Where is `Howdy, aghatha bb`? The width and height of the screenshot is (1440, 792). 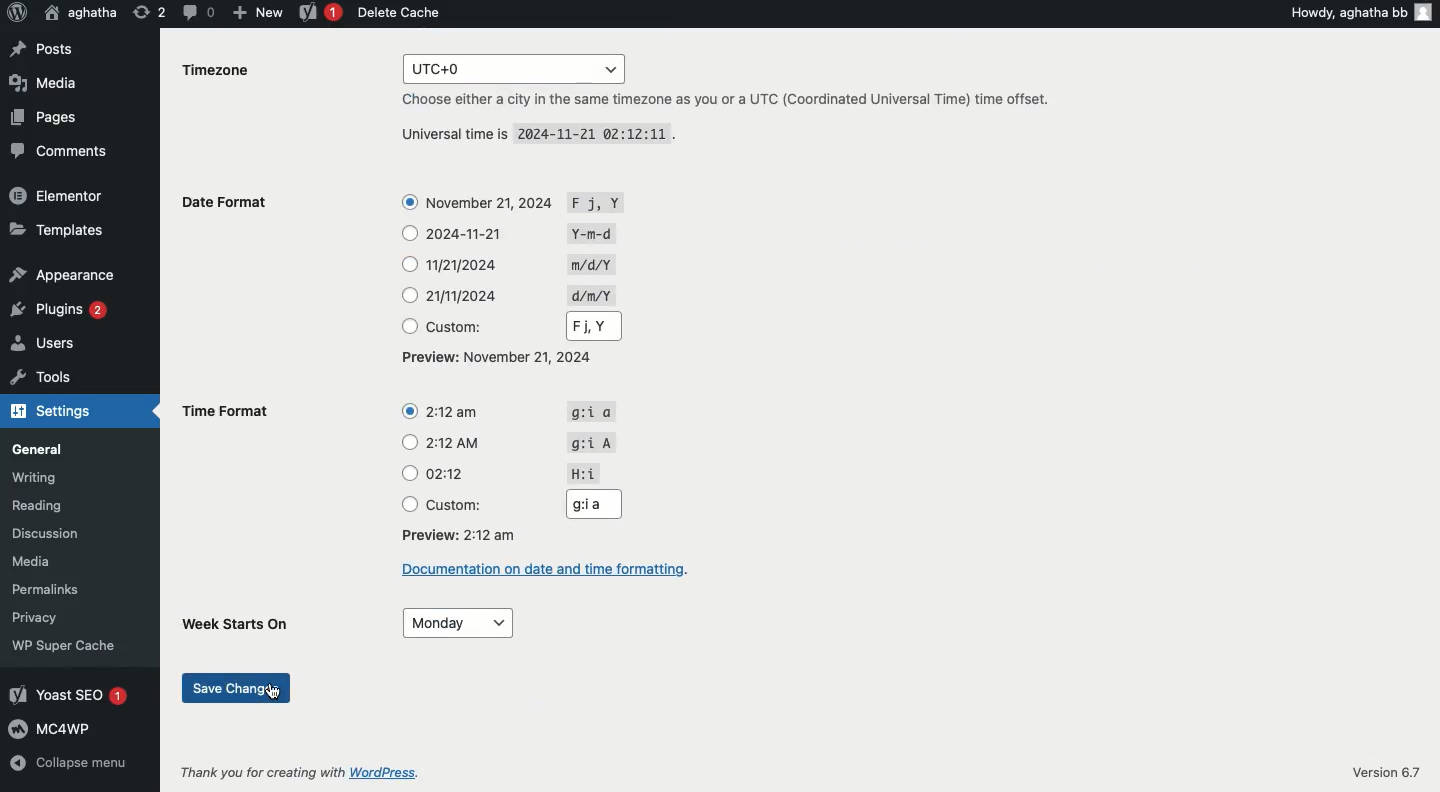 Howdy, aghatha bb is located at coordinates (1360, 11).